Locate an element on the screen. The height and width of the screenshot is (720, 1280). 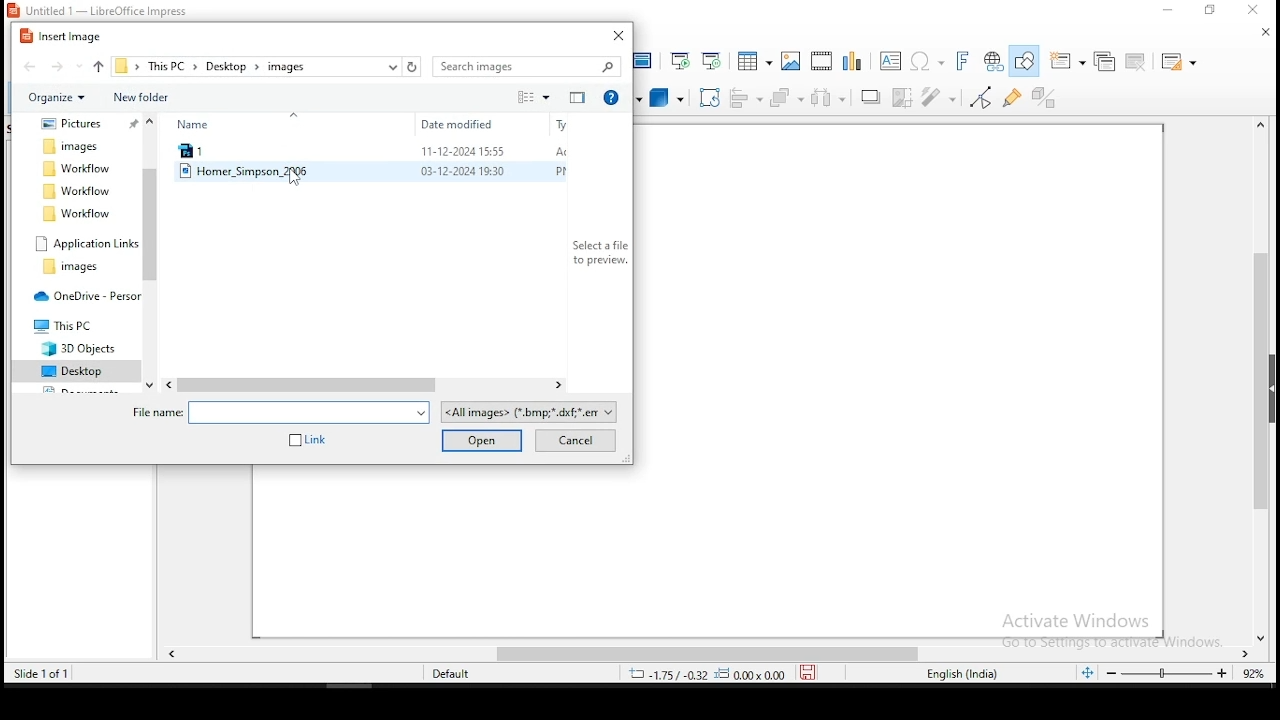
slide 1 of 1 is located at coordinates (53, 673).